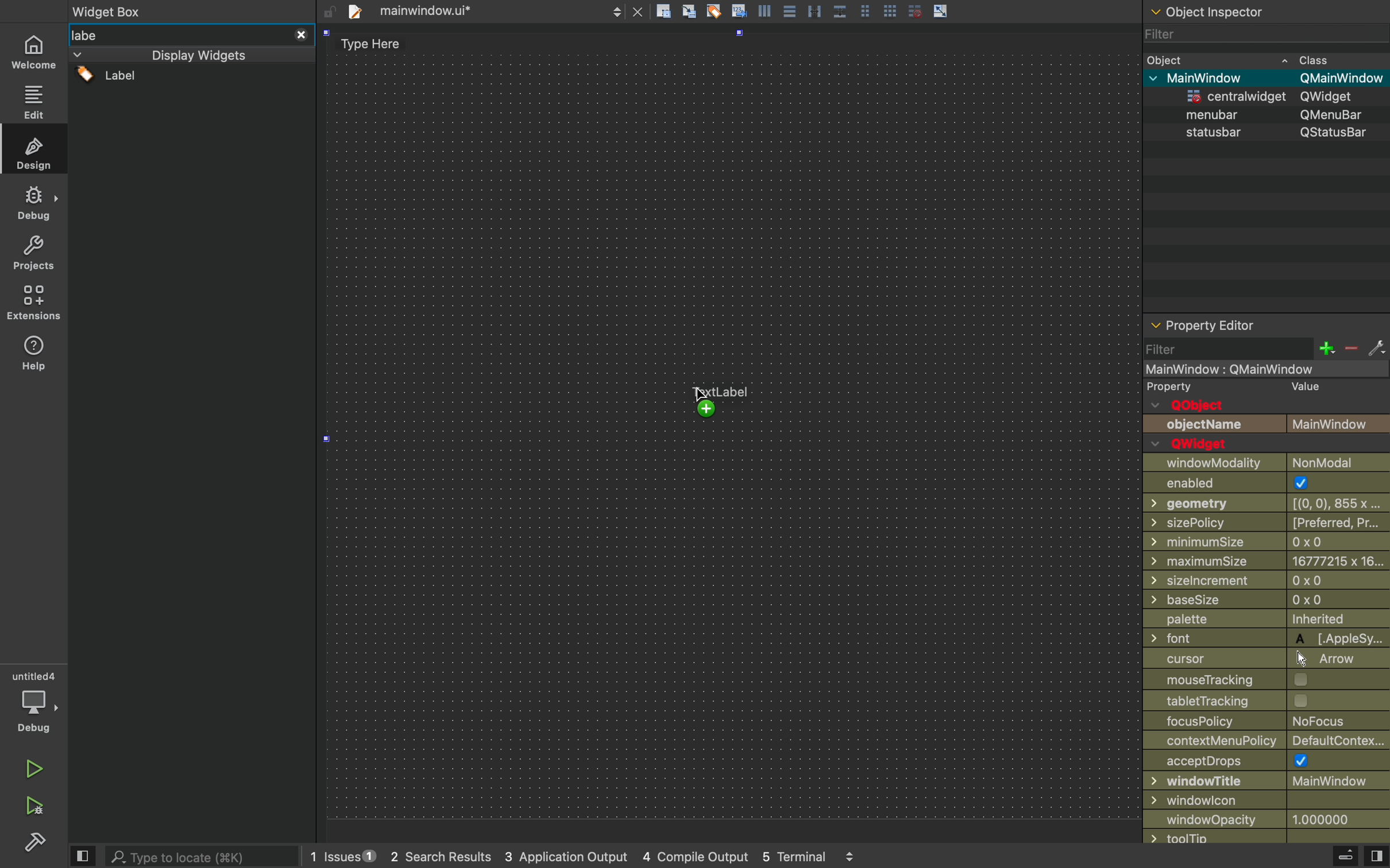  What do you see at coordinates (1267, 416) in the screenshot?
I see `objects` at bounding box center [1267, 416].